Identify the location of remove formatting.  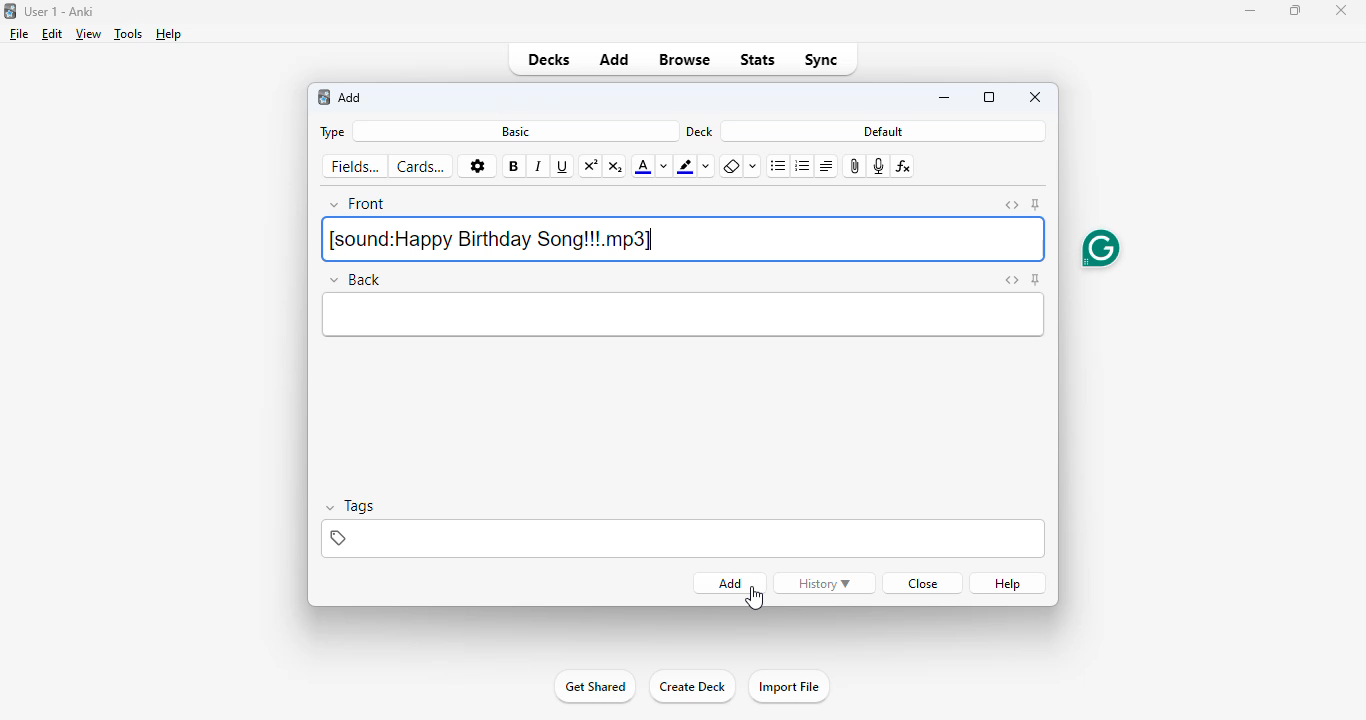
(731, 167).